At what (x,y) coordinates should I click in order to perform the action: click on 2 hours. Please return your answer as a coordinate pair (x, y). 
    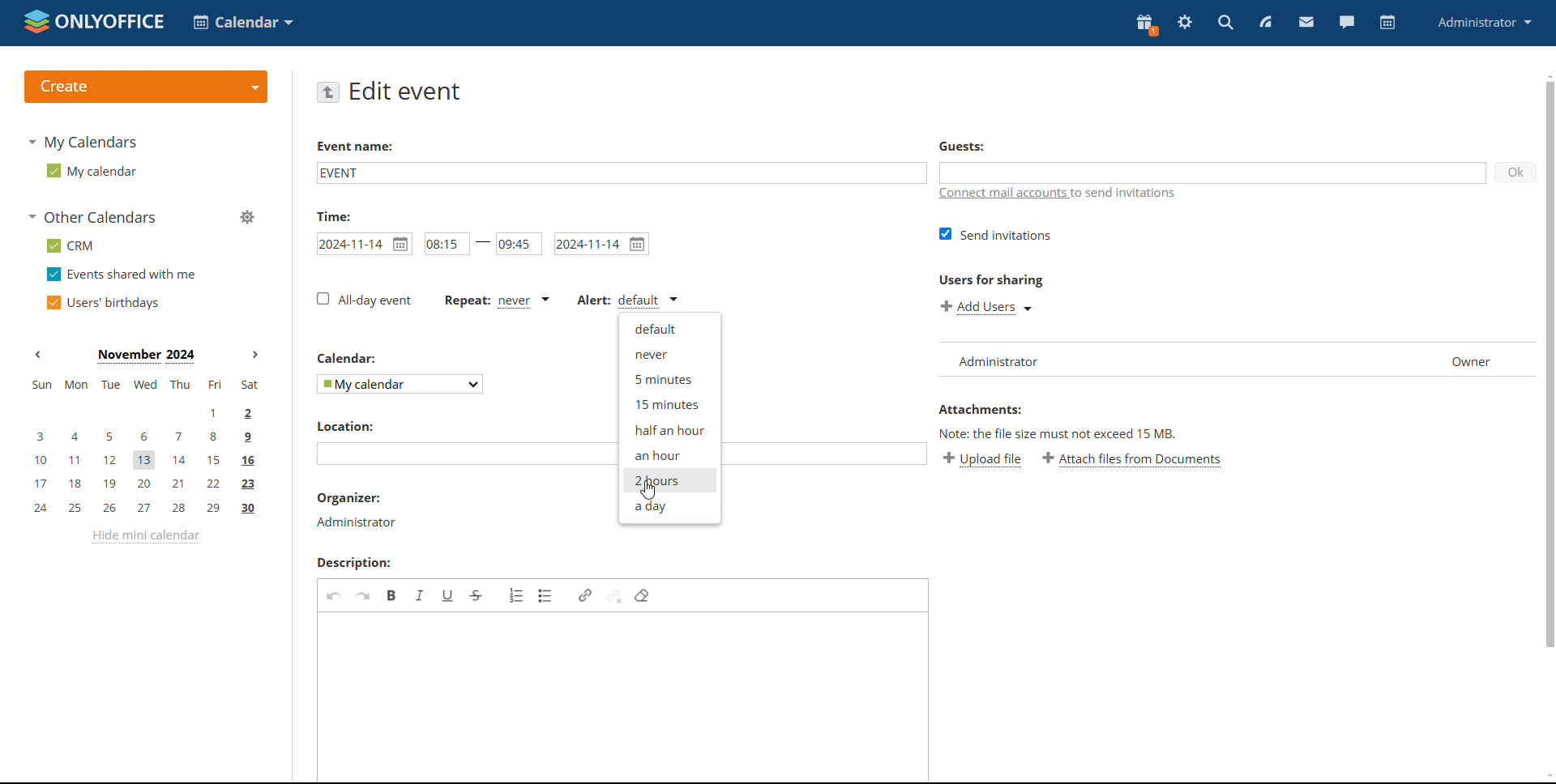
    Looking at the image, I should click on (669, 480).